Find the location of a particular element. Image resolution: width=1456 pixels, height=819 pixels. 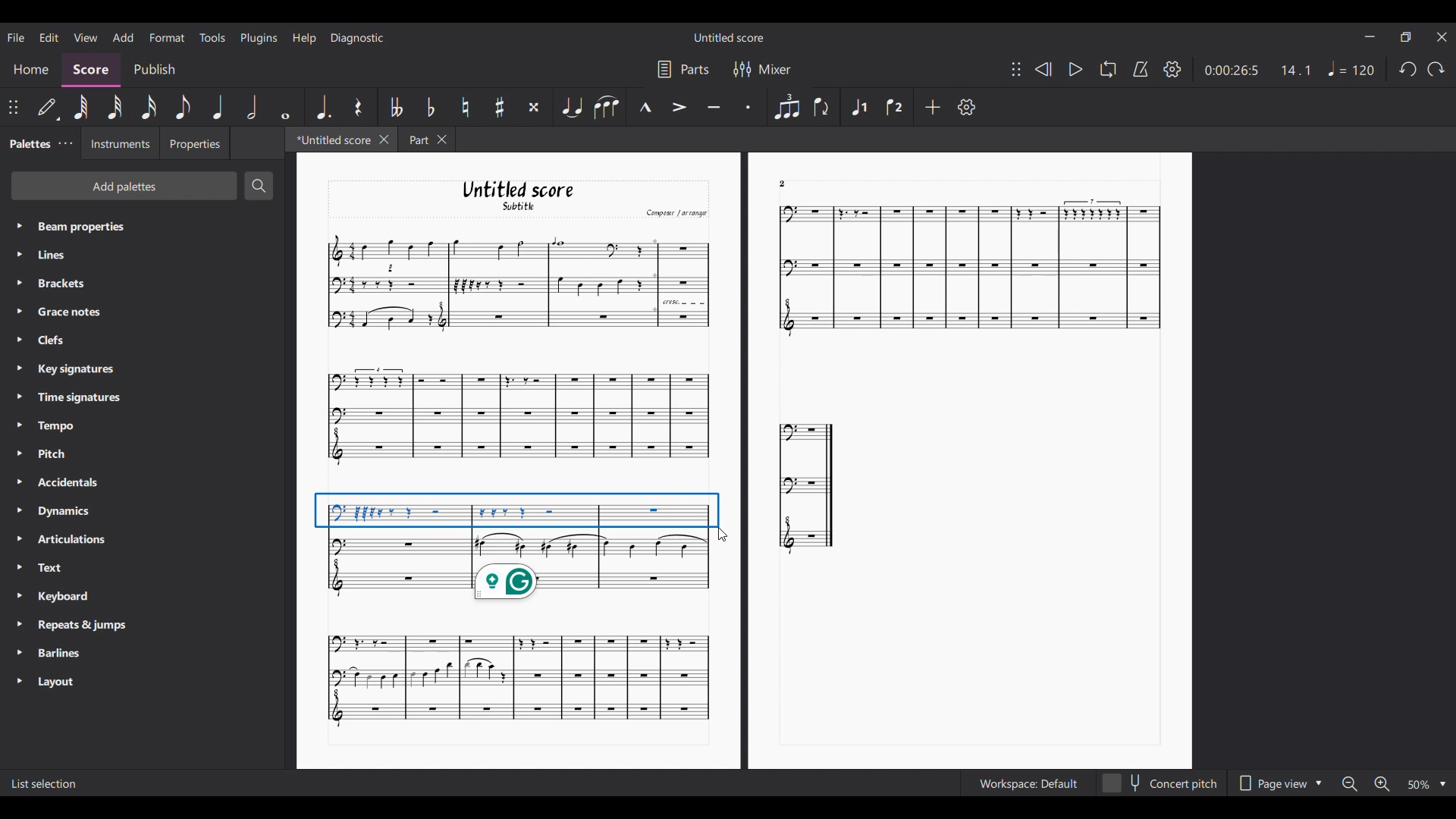

Voice 2 is located at coordinates (895, 107).